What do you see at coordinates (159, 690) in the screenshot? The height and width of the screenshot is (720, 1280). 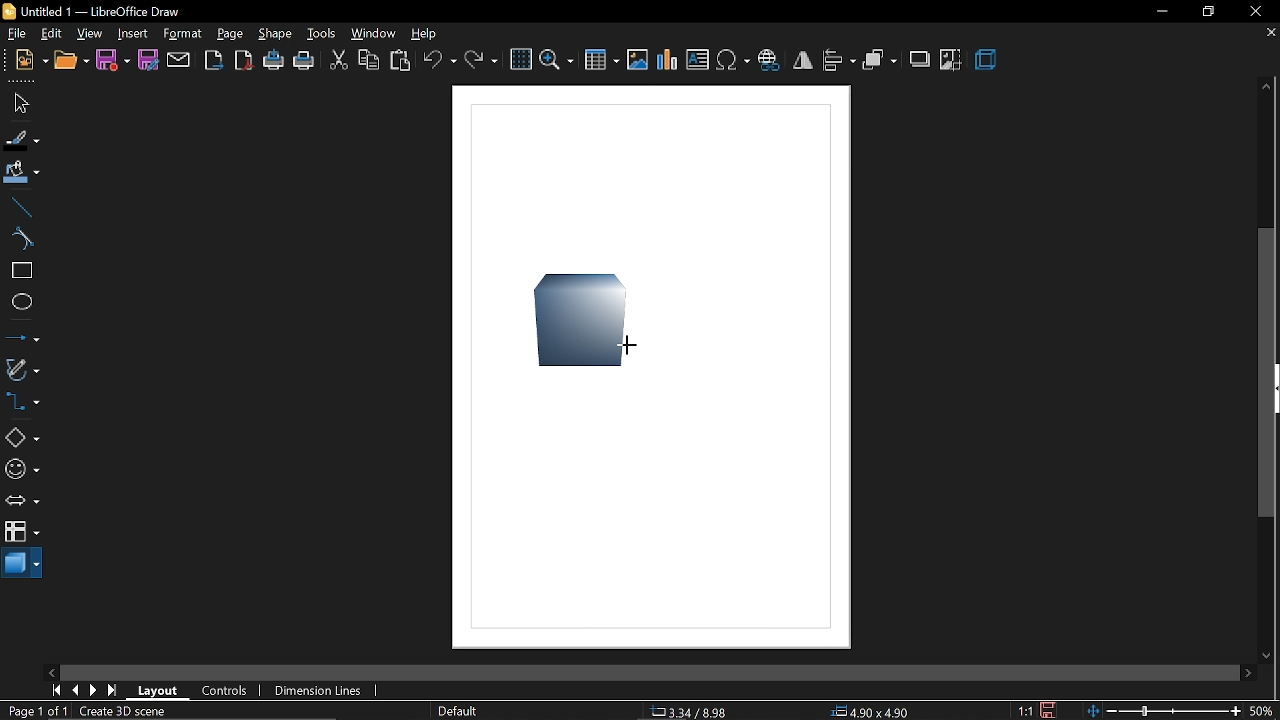 I see `layout` at bounding box center [159, 690].